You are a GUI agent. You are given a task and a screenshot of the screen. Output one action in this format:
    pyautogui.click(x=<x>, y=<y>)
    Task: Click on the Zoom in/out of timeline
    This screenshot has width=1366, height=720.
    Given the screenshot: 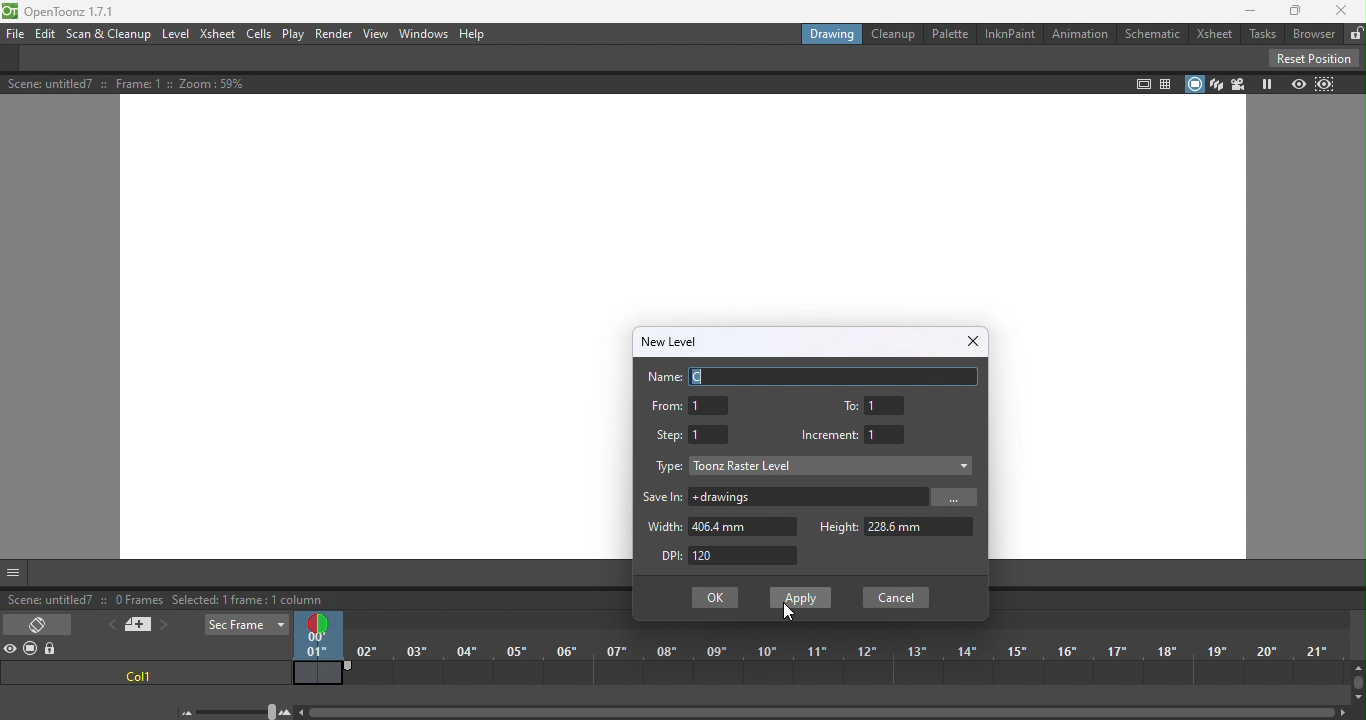 What is the action you would take?
    pyautogui.click(x=236, y=712)
    